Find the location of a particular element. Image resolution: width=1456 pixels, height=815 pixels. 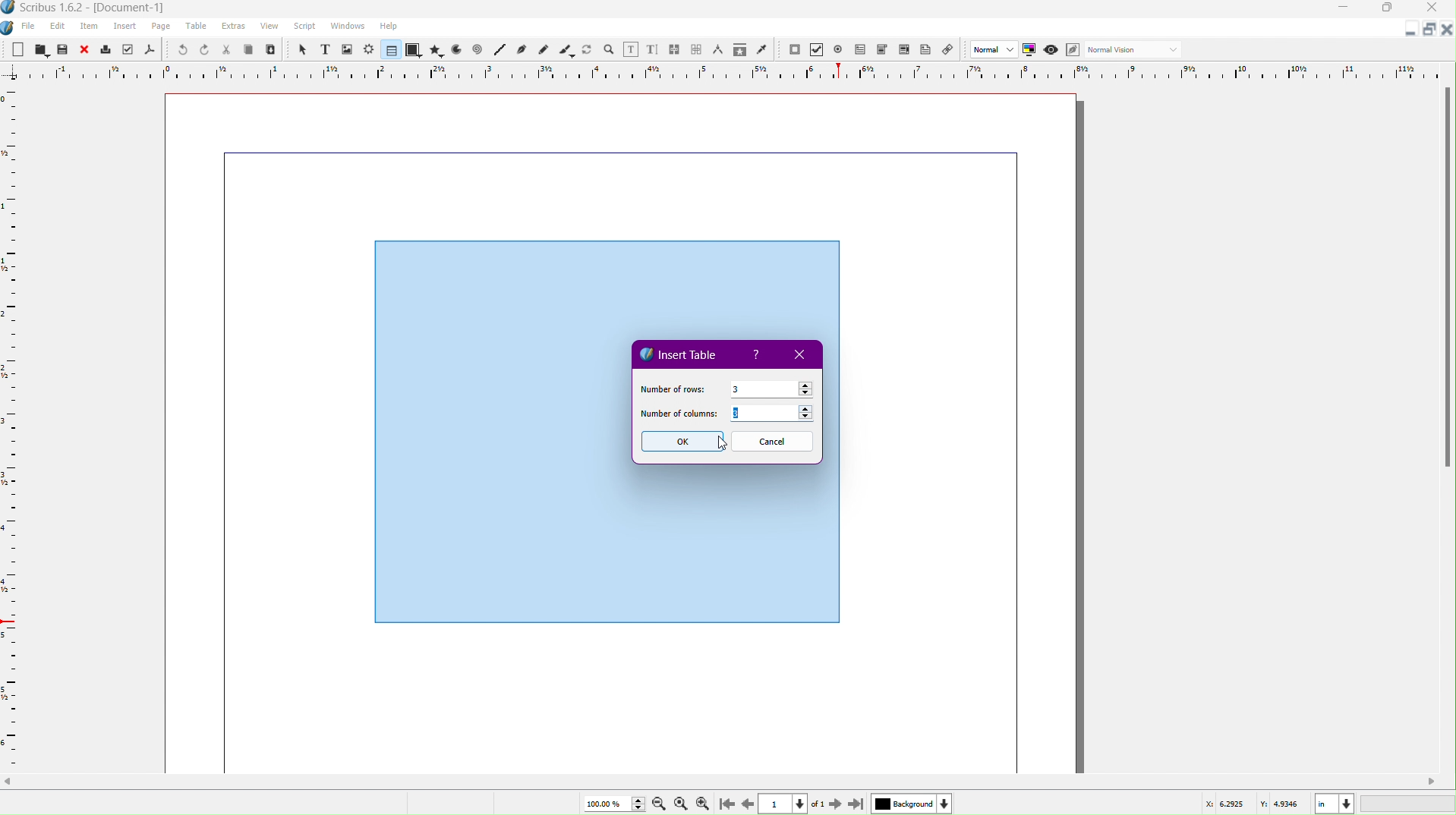

Select Item is located at coordinates (301, 49).